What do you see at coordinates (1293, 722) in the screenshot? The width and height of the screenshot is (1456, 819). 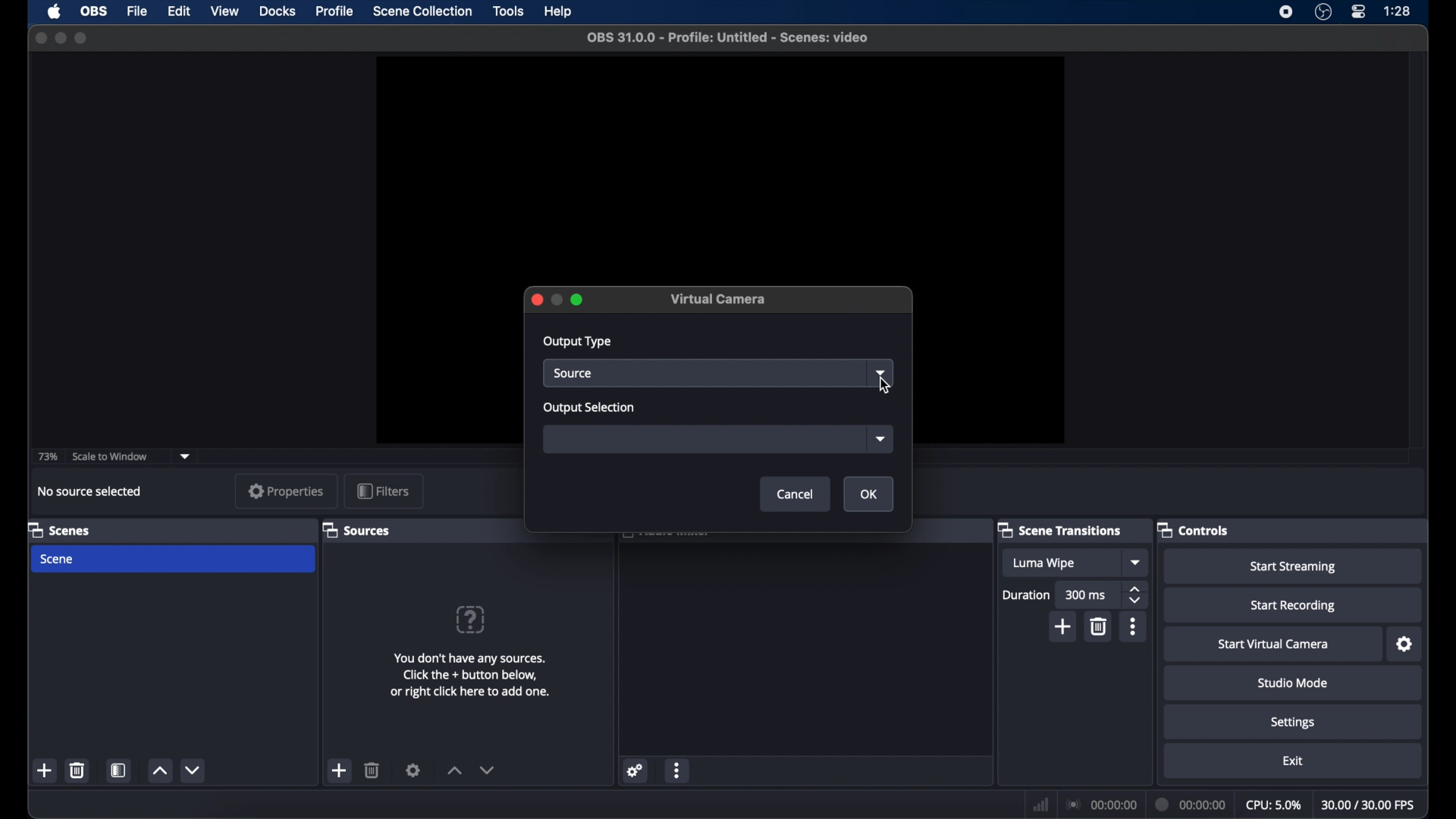 I see `settings` at bounding box center [1293, 722].